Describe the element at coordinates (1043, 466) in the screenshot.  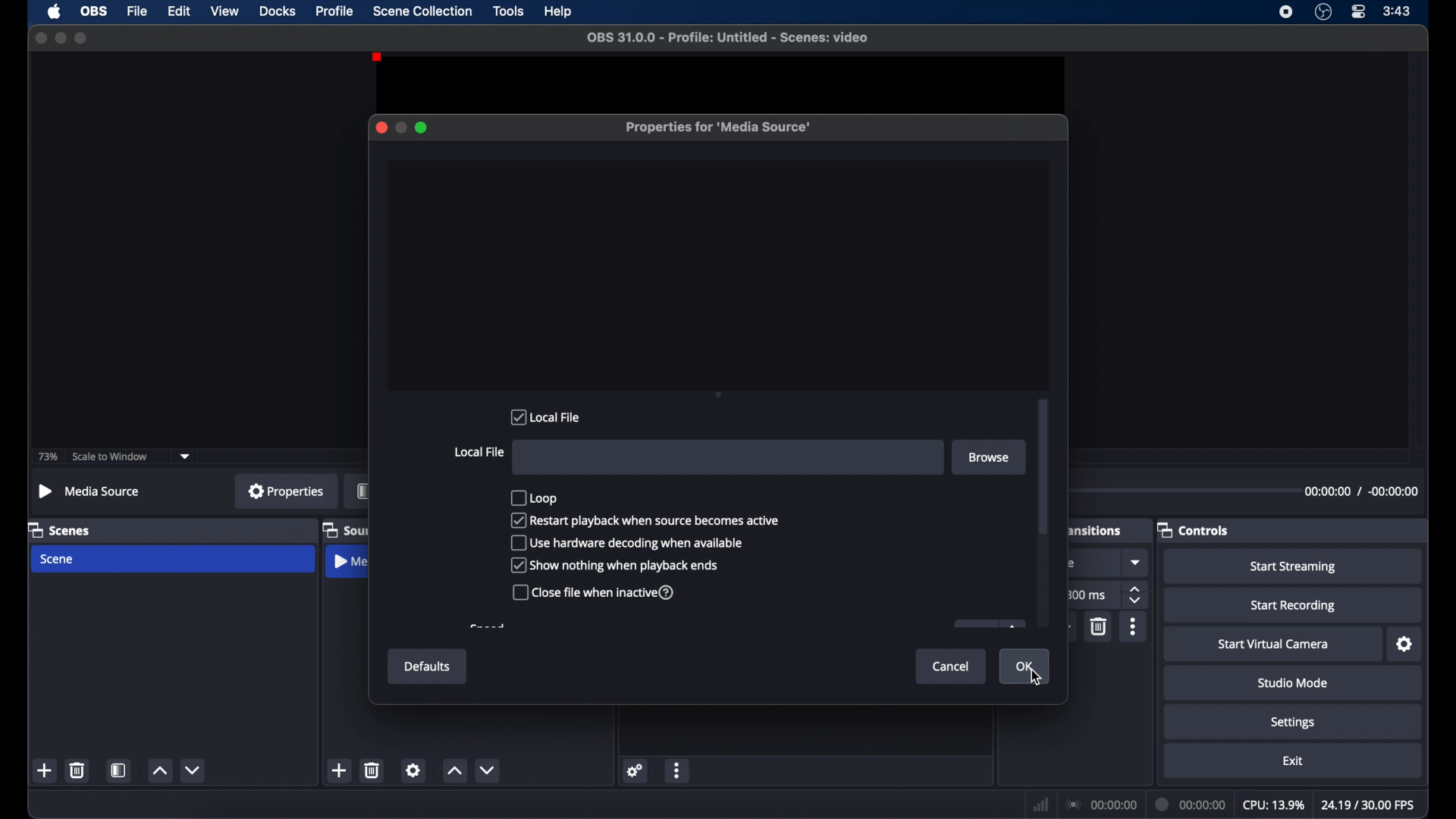
I see `scroll box` at that location.